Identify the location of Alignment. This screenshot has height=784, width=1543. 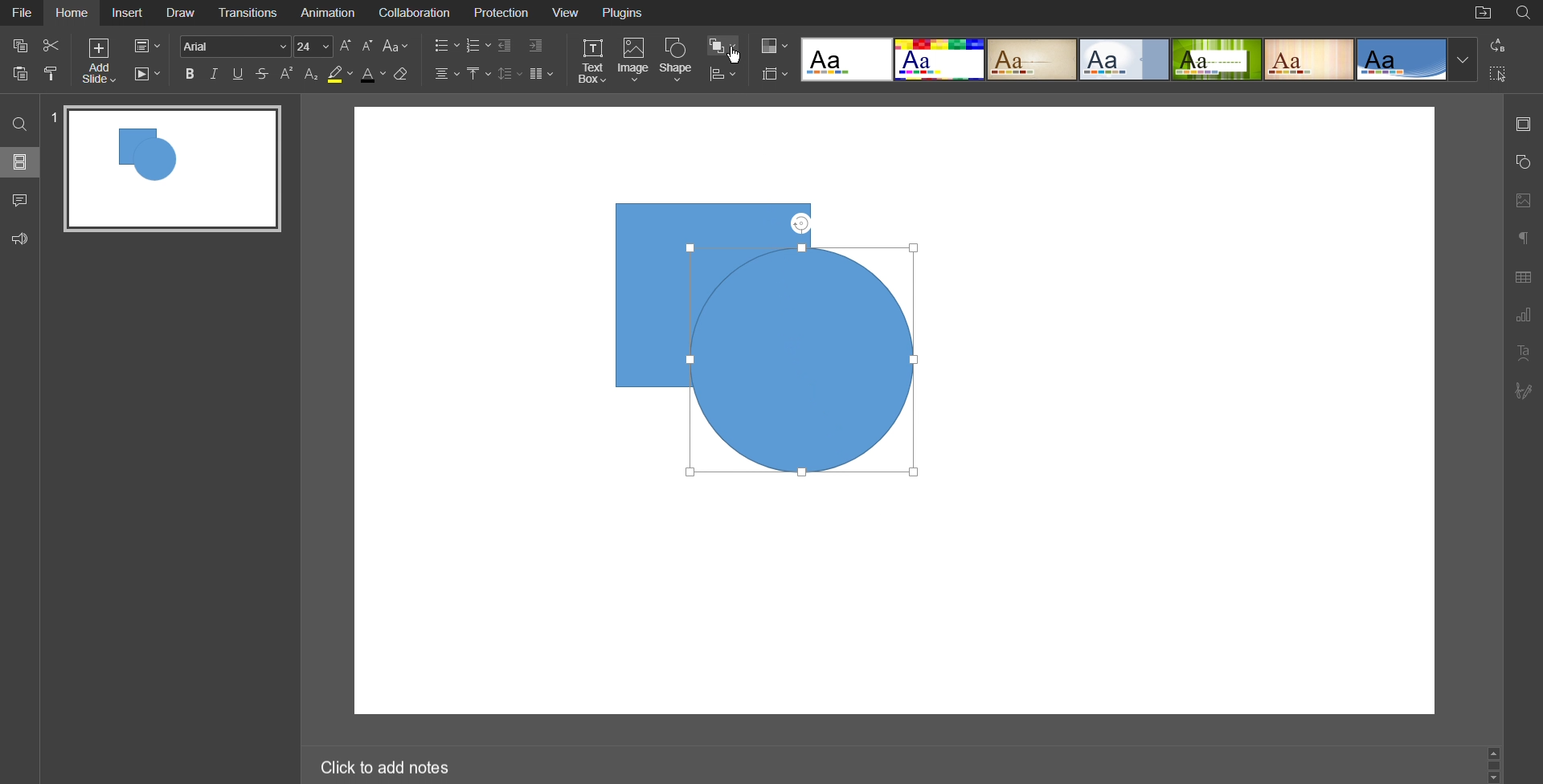
(445, 73).